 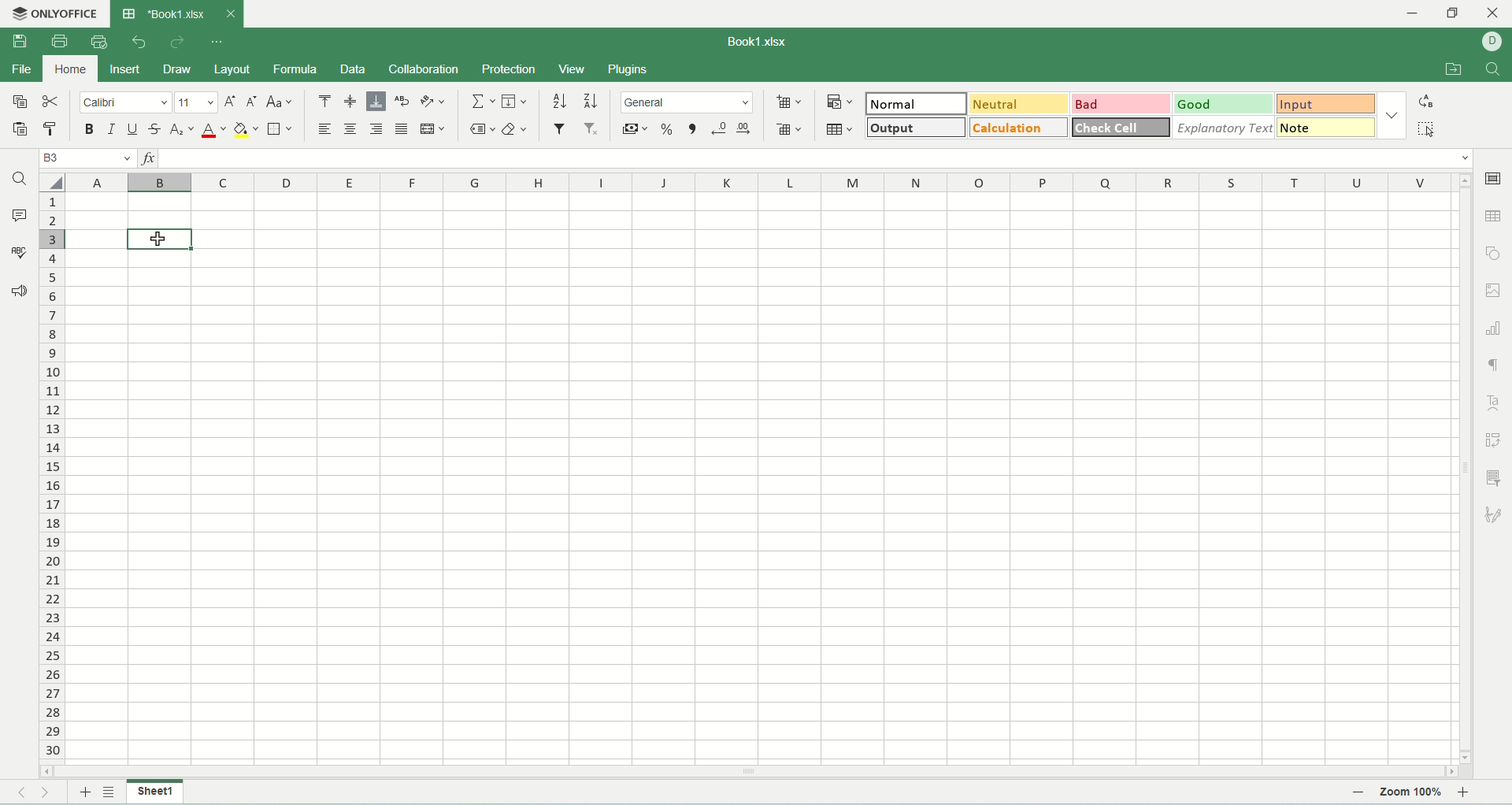 What do you see at coordinates (20, 293) in the screenshot?
I see `support and feedback` at bounding box center [20, 293].